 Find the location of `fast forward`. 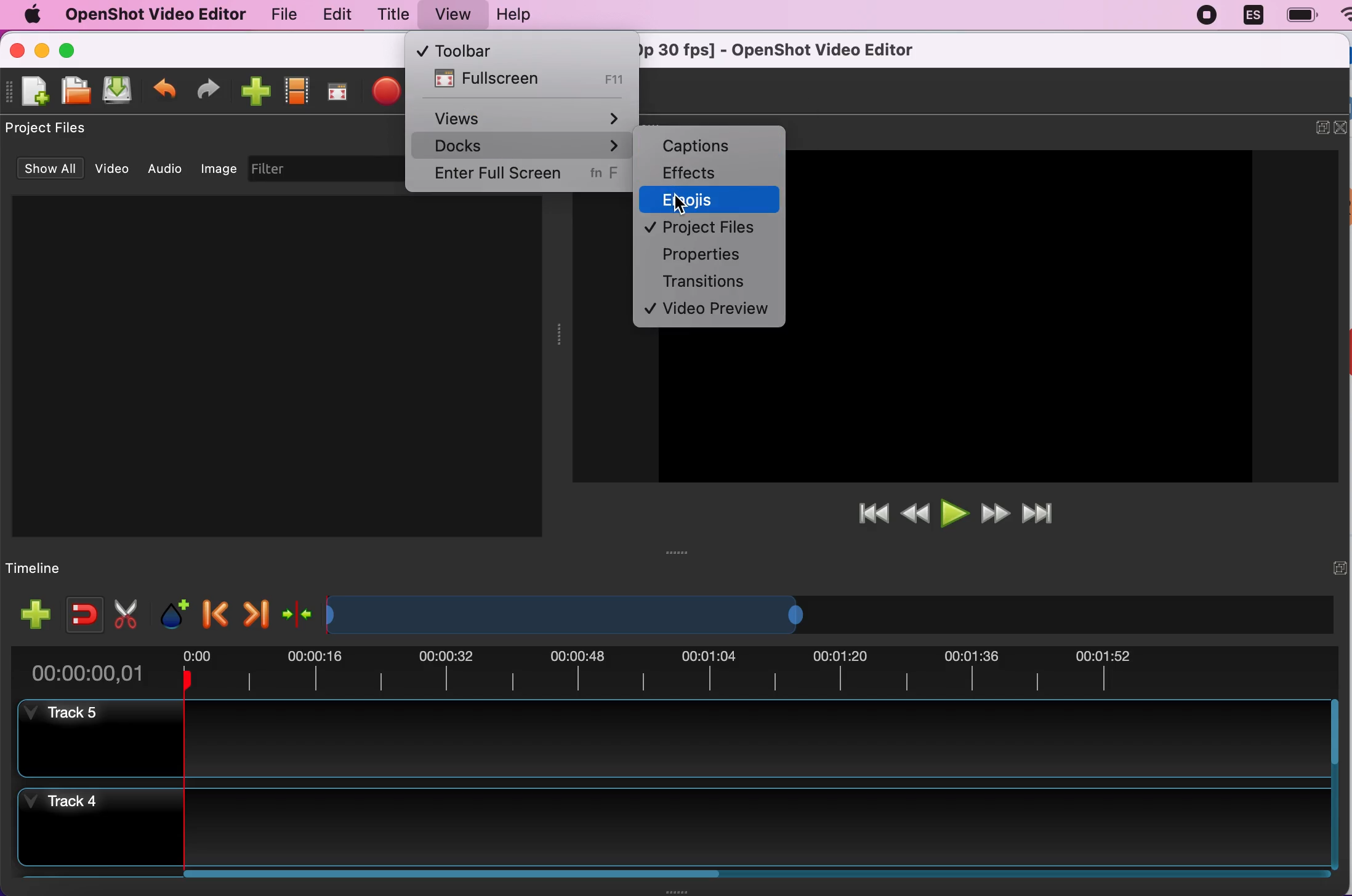

fast forward is located at coordinates (994, 511).